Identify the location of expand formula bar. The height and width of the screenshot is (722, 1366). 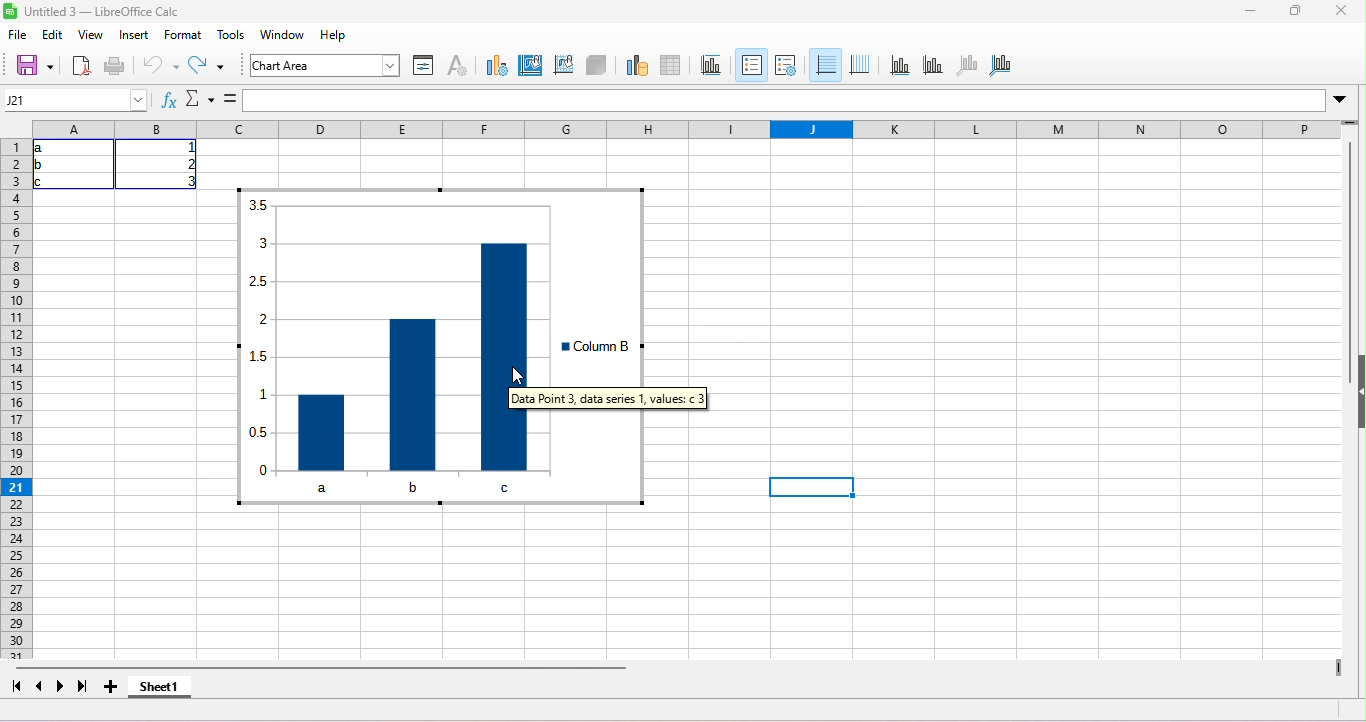
(1346, 98).